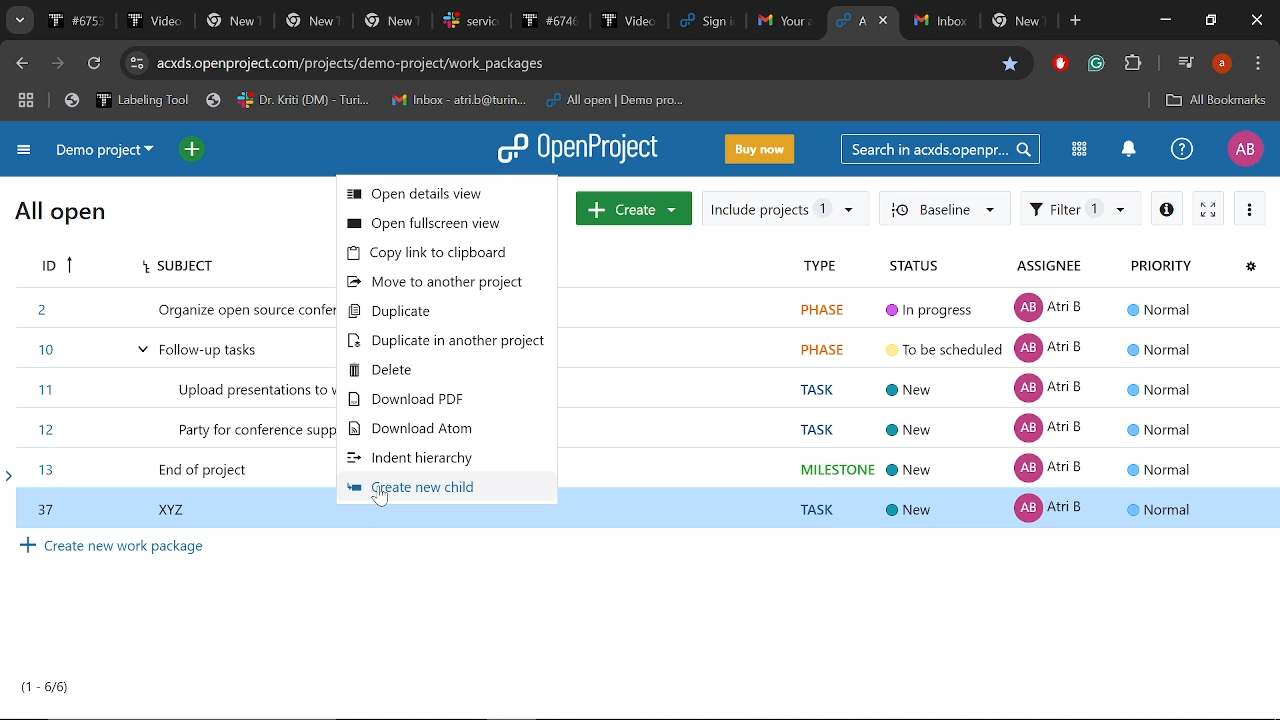 The width and height of the screenshot is (1280, 720). Describe the element at coordinates (1245, 149) in the screenshot. I see `Profile` at that location.